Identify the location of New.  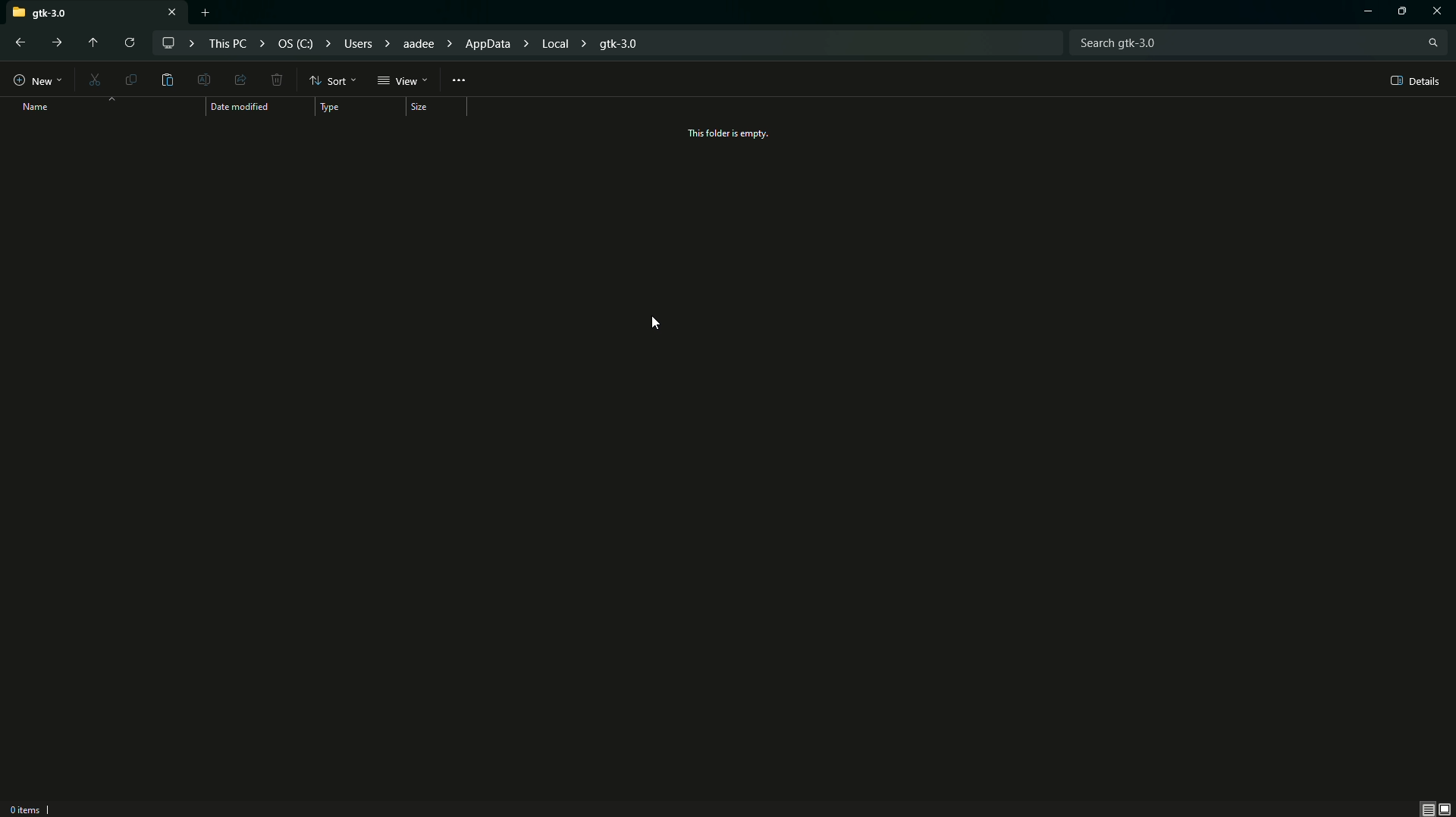
(36, 78).